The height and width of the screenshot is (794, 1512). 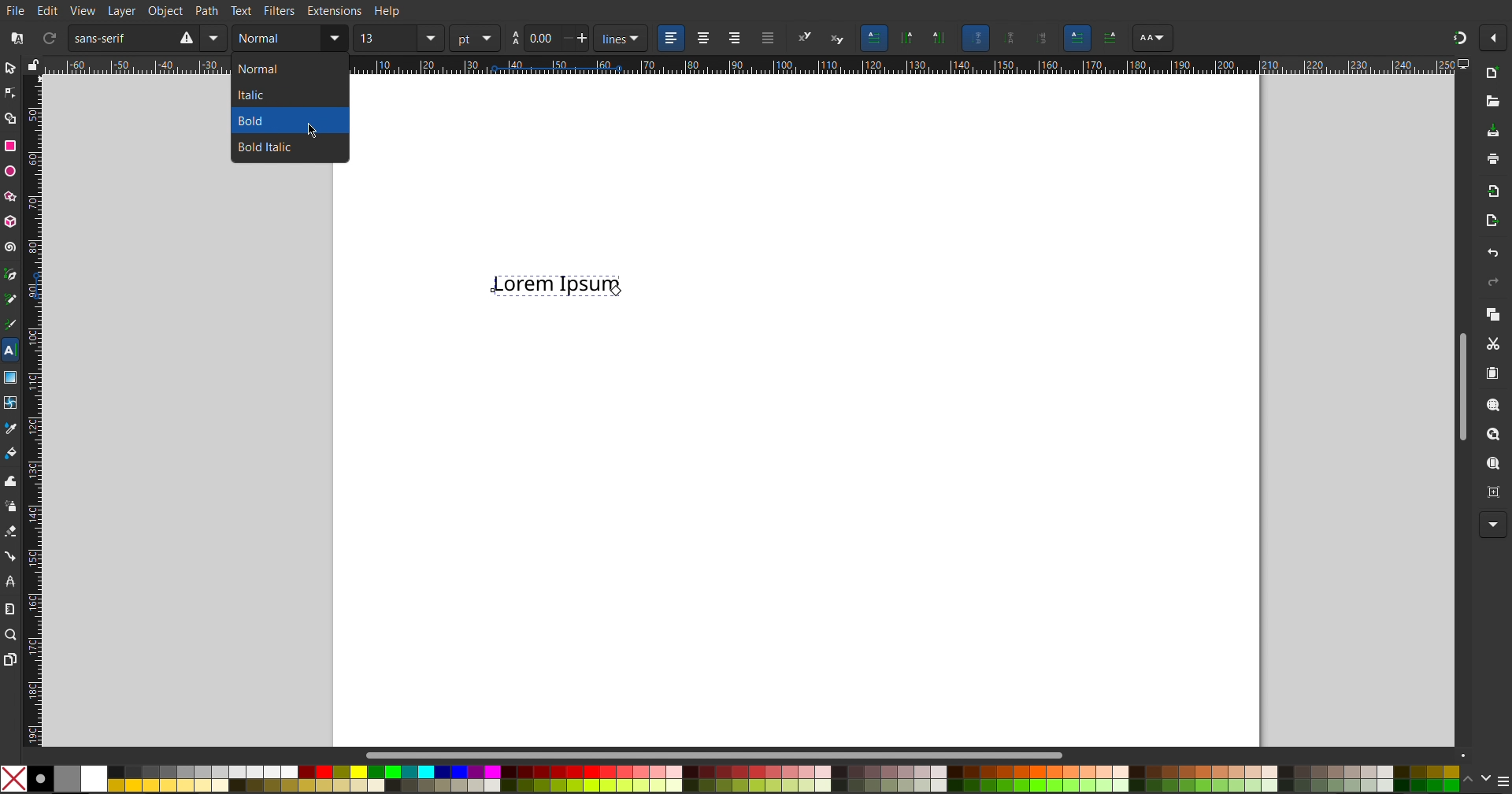 What do you see at coordinates (1492, 373) in the screenshot?
I see `Paste` at bounding box center [1492, 373].